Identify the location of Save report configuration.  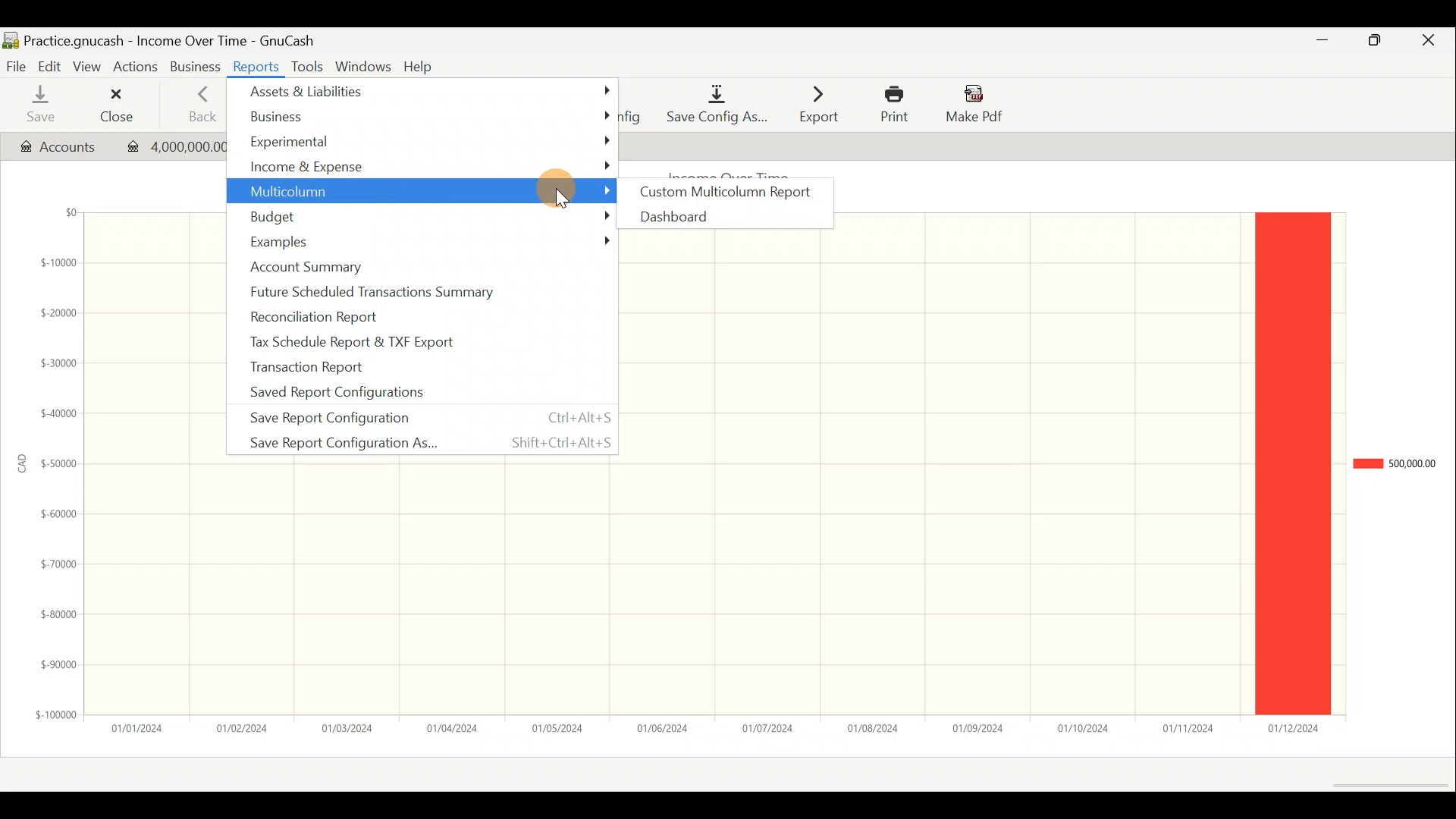
(420, 419).